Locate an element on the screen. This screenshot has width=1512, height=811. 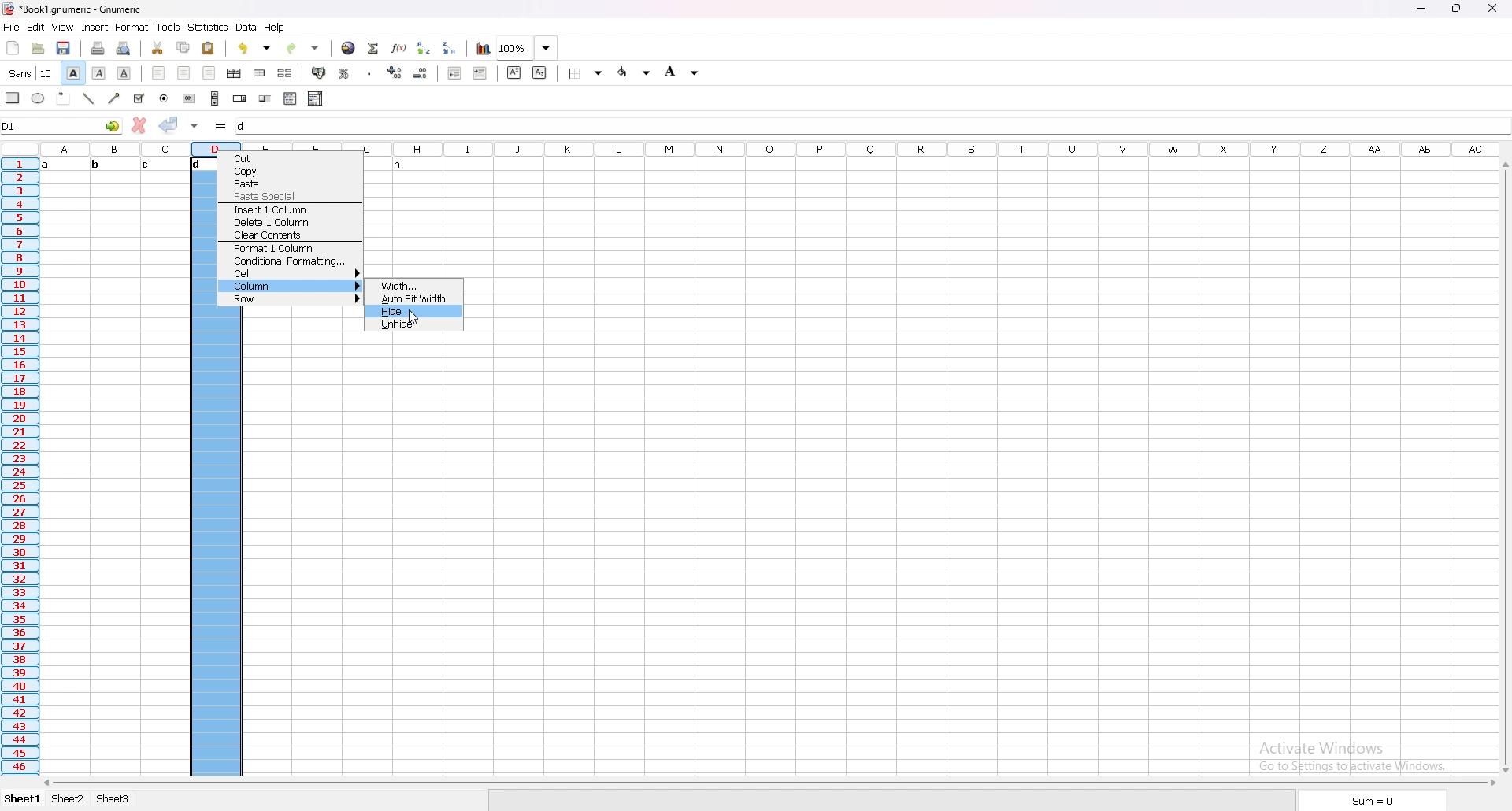
sort ascending is located at coordinates (424, 47).